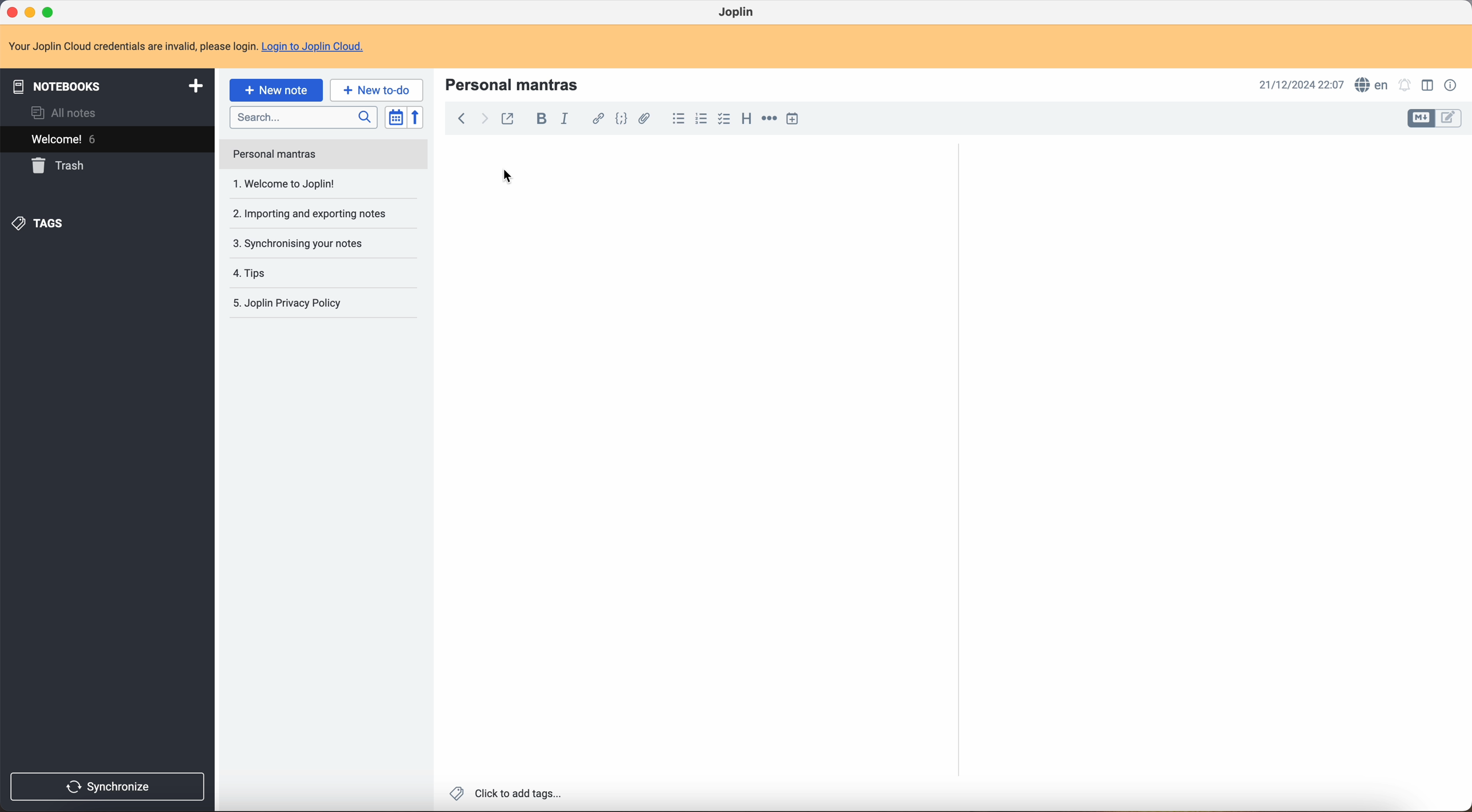  Describe the element at coordinates (305, 118) in the screenshot. I see `search bar` at that location.